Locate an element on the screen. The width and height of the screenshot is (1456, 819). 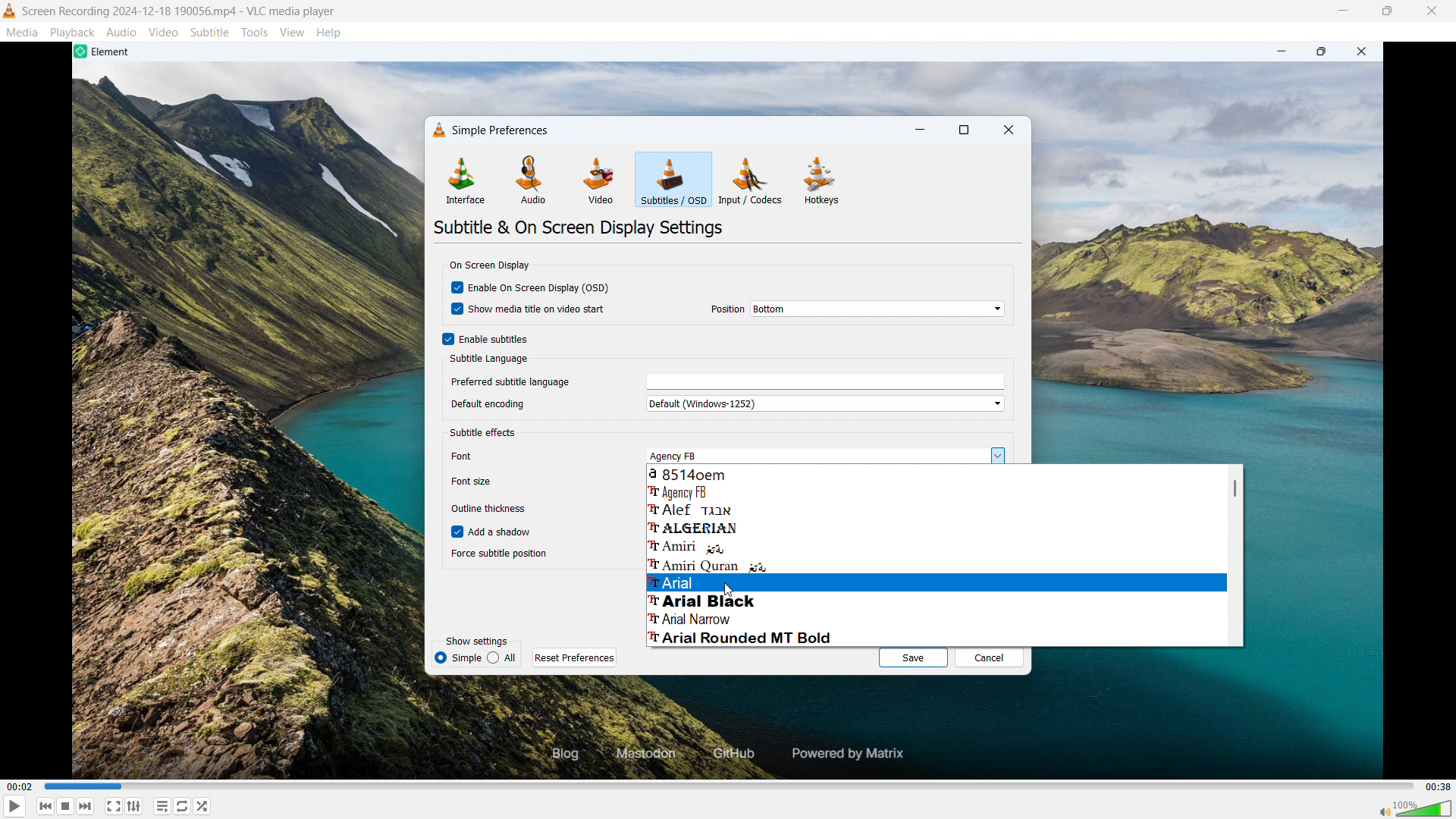
toggle playlist is located at coordinates (162, 805).